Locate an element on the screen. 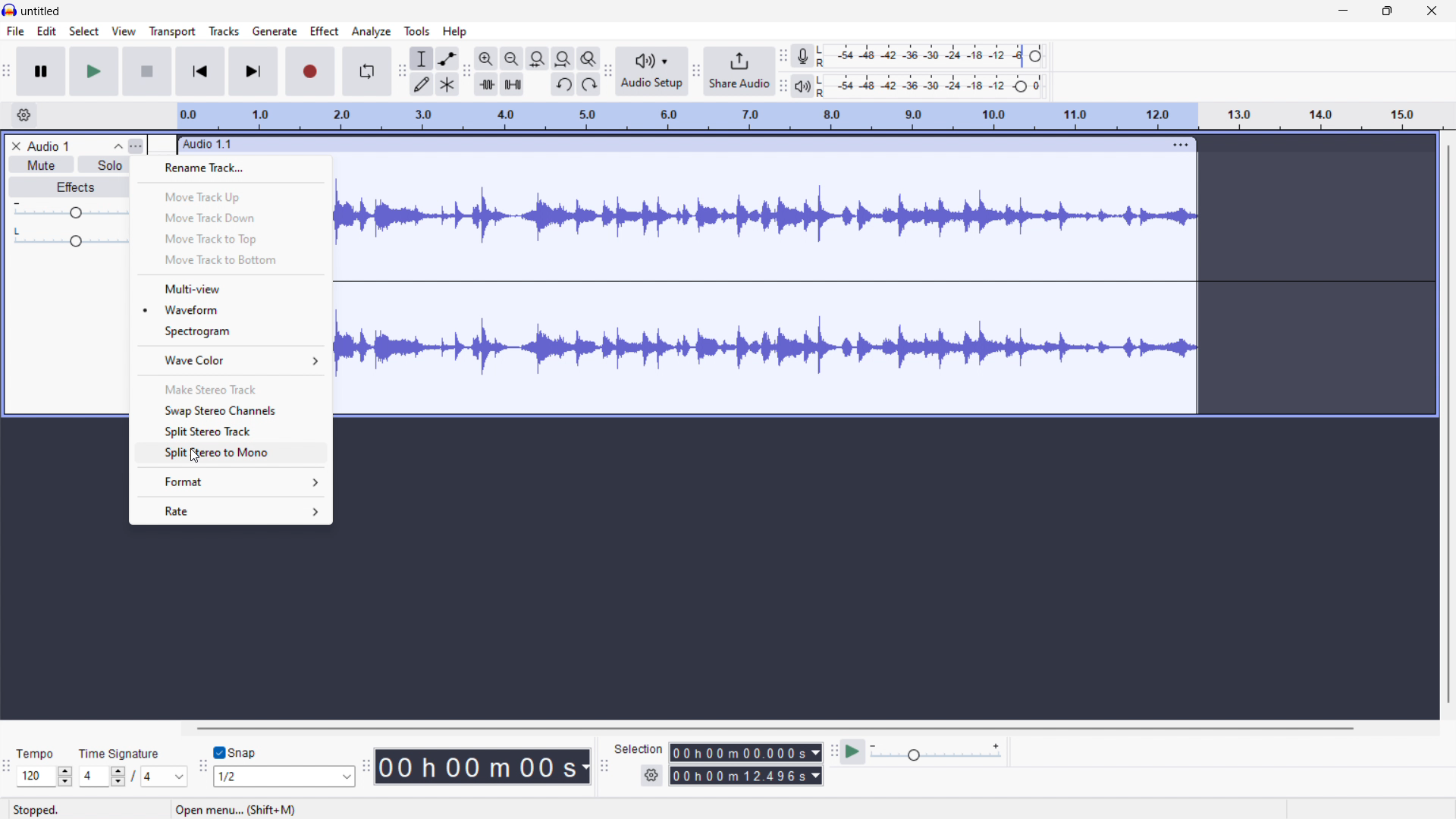 Image resolution: width=1456 pixels, height=819 pixels. multi tool is located at coordinates (448, 84).